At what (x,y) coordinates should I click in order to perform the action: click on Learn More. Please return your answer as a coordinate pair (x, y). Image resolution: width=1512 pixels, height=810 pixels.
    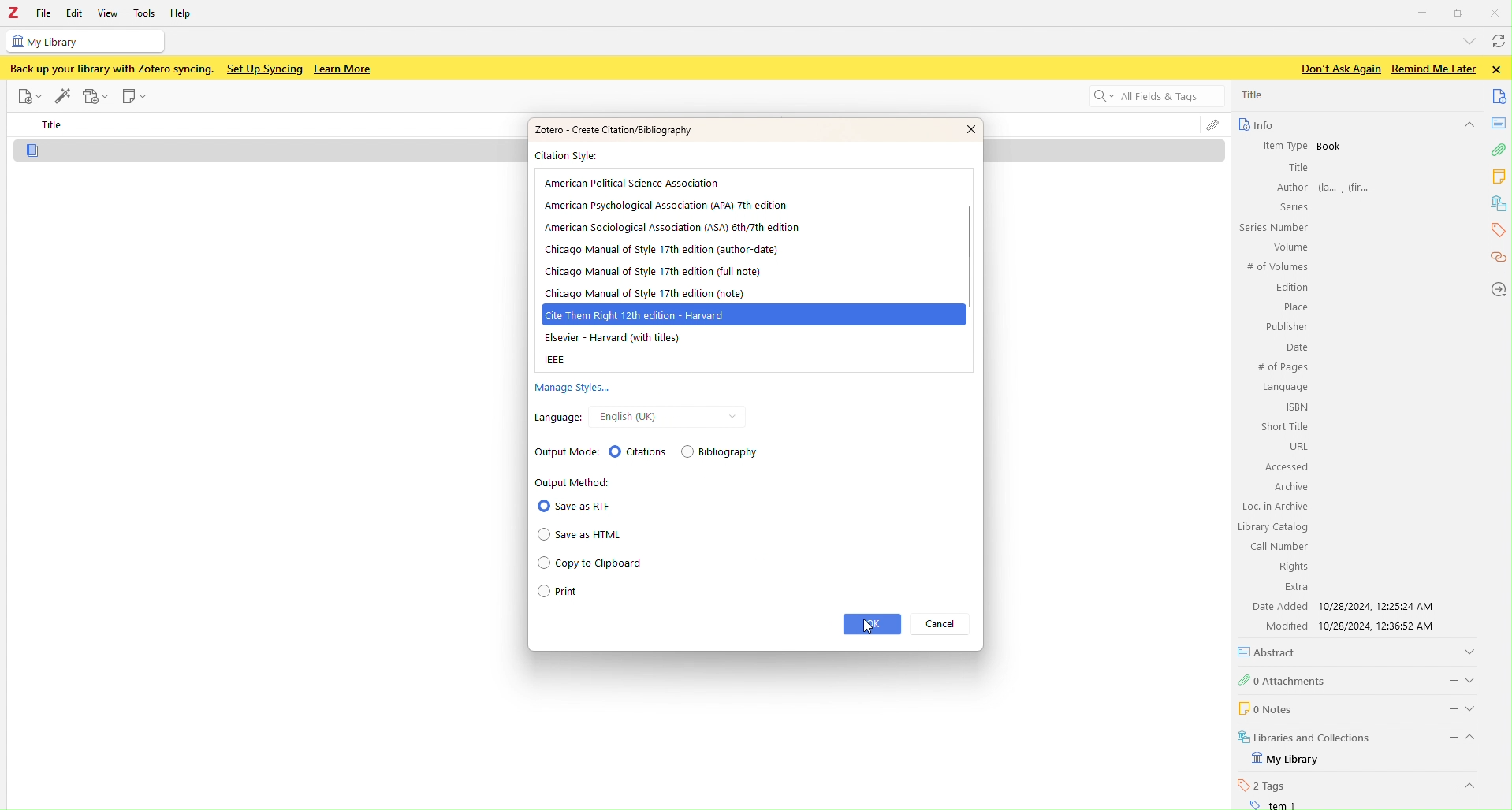
    Looking at the image, I should click on (344, 69).